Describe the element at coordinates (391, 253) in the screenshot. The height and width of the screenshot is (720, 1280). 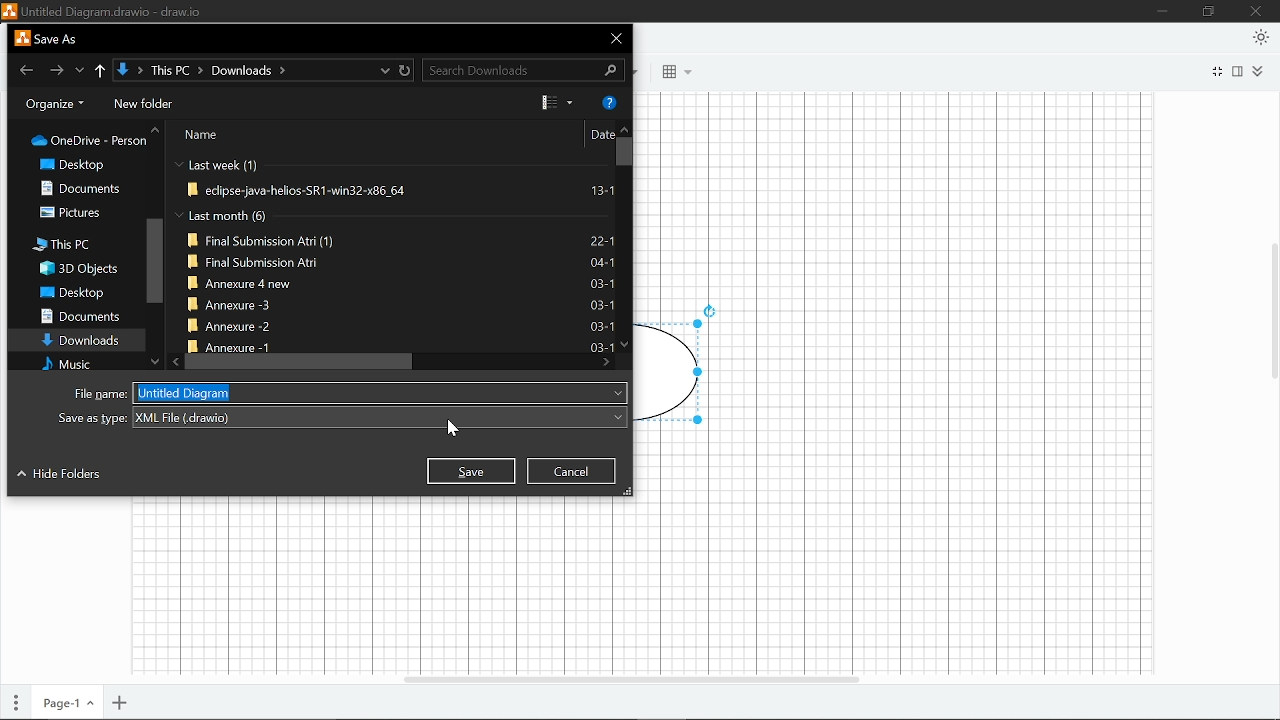
I see `Files in "Downloads"` at that location.